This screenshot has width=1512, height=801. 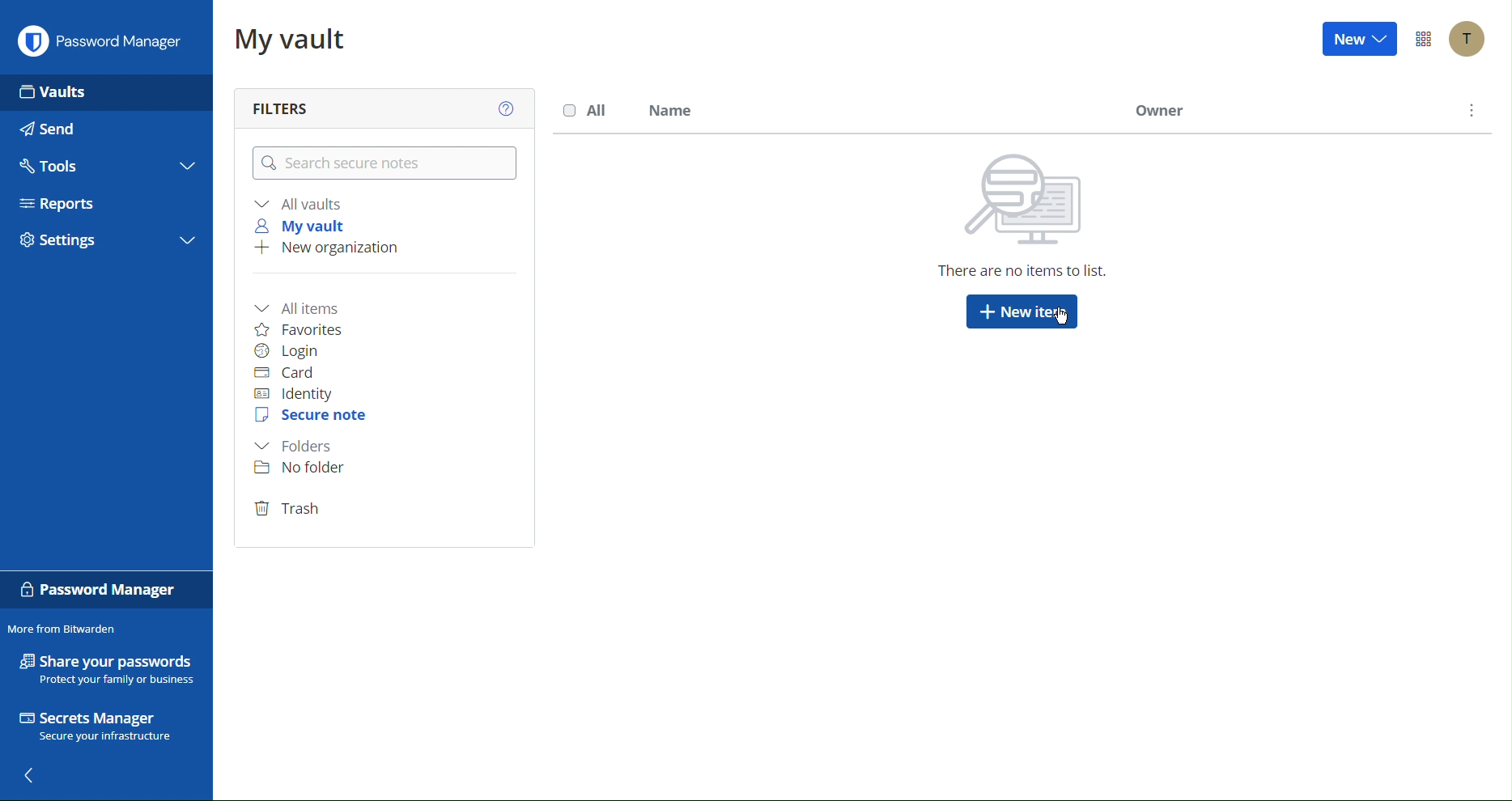 What do you see at coordinates (35, 778) in the screenshot?
I see `Back` at bounding box center [35, 778].